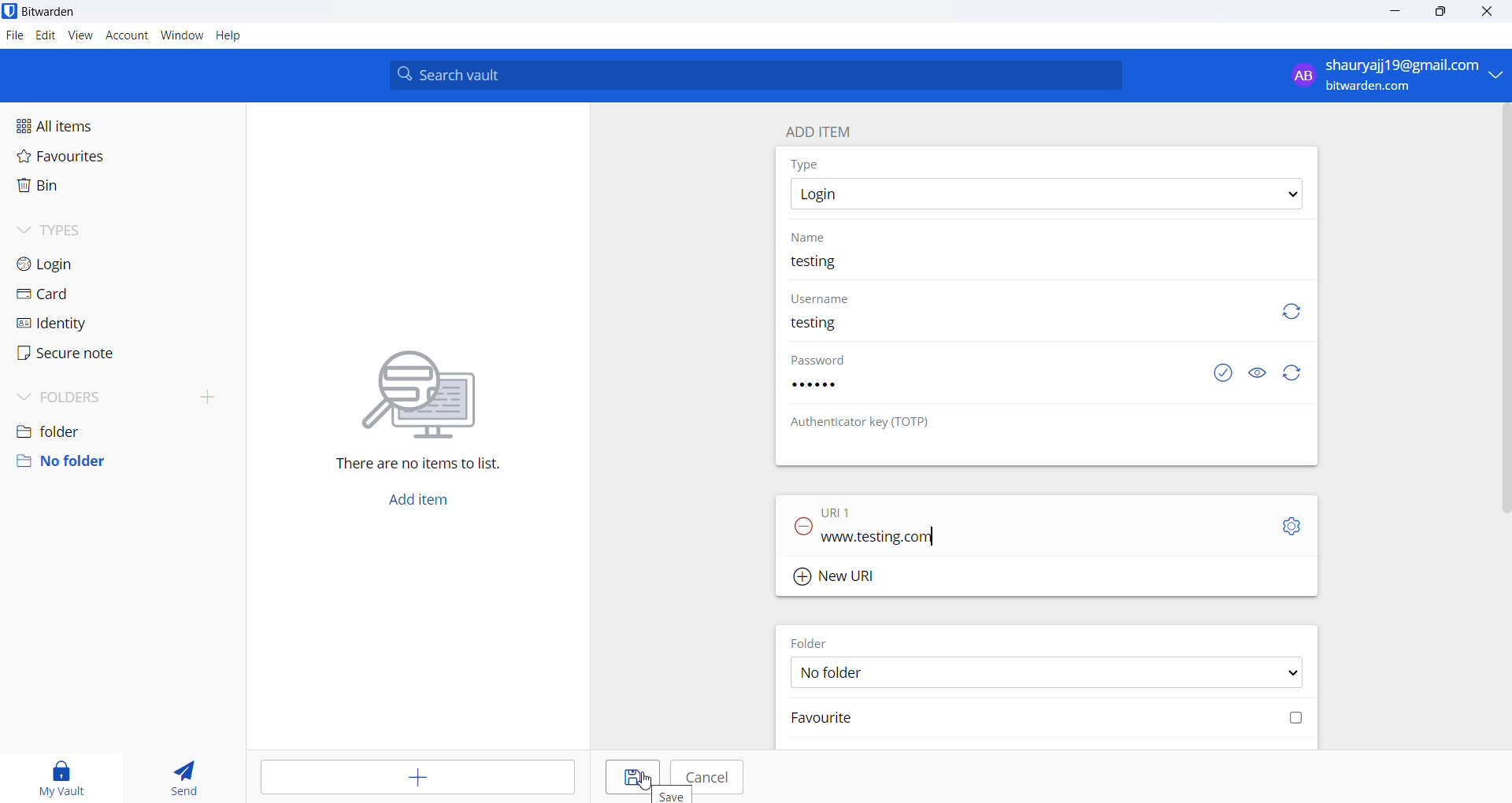 The width and height of the screenshot is (1512, 803). What do you see at coordinates (839, 576) in the screenshot?
I see `Add new URL` at bounding box center [839, 576].